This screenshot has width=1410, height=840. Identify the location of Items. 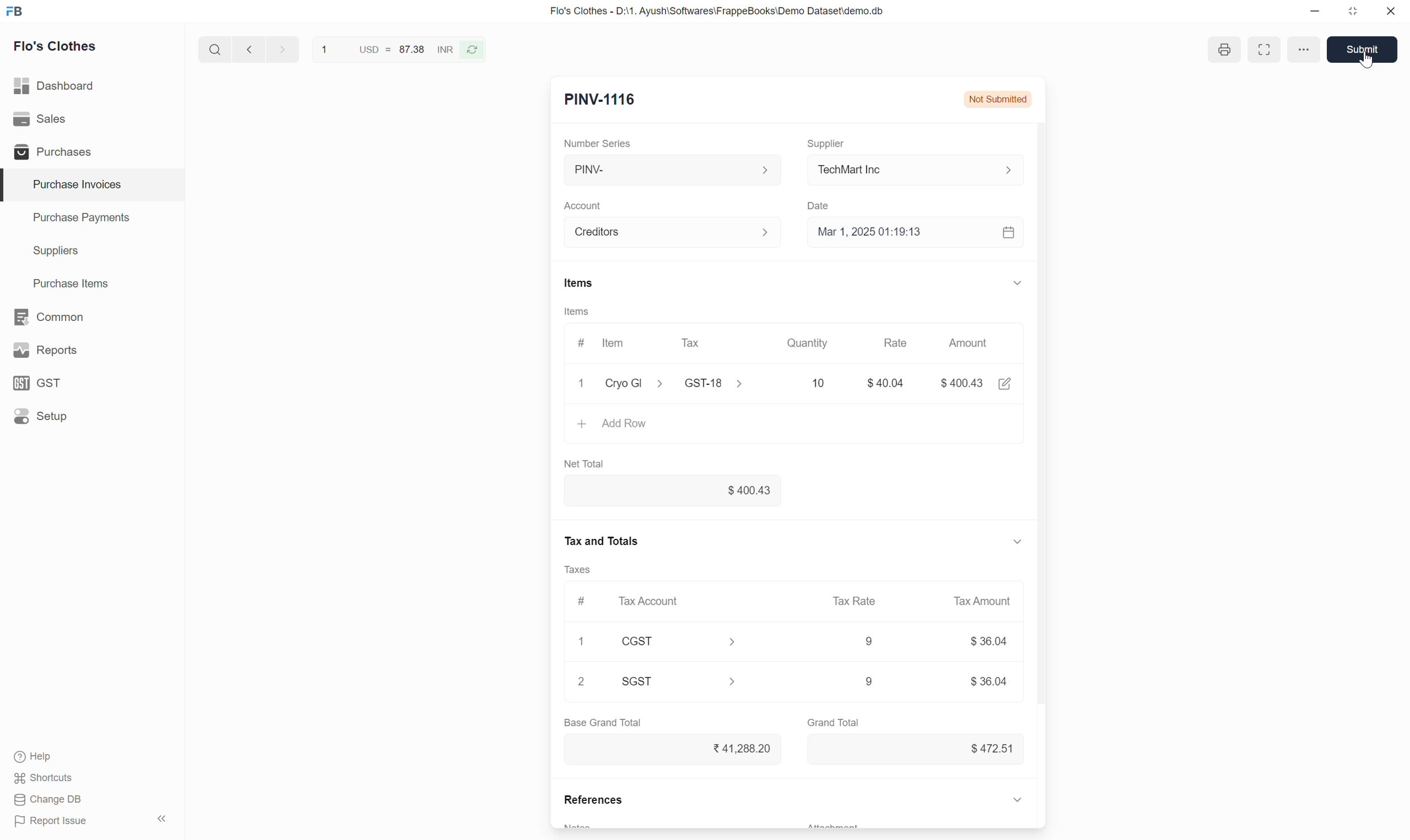
(576, 311).